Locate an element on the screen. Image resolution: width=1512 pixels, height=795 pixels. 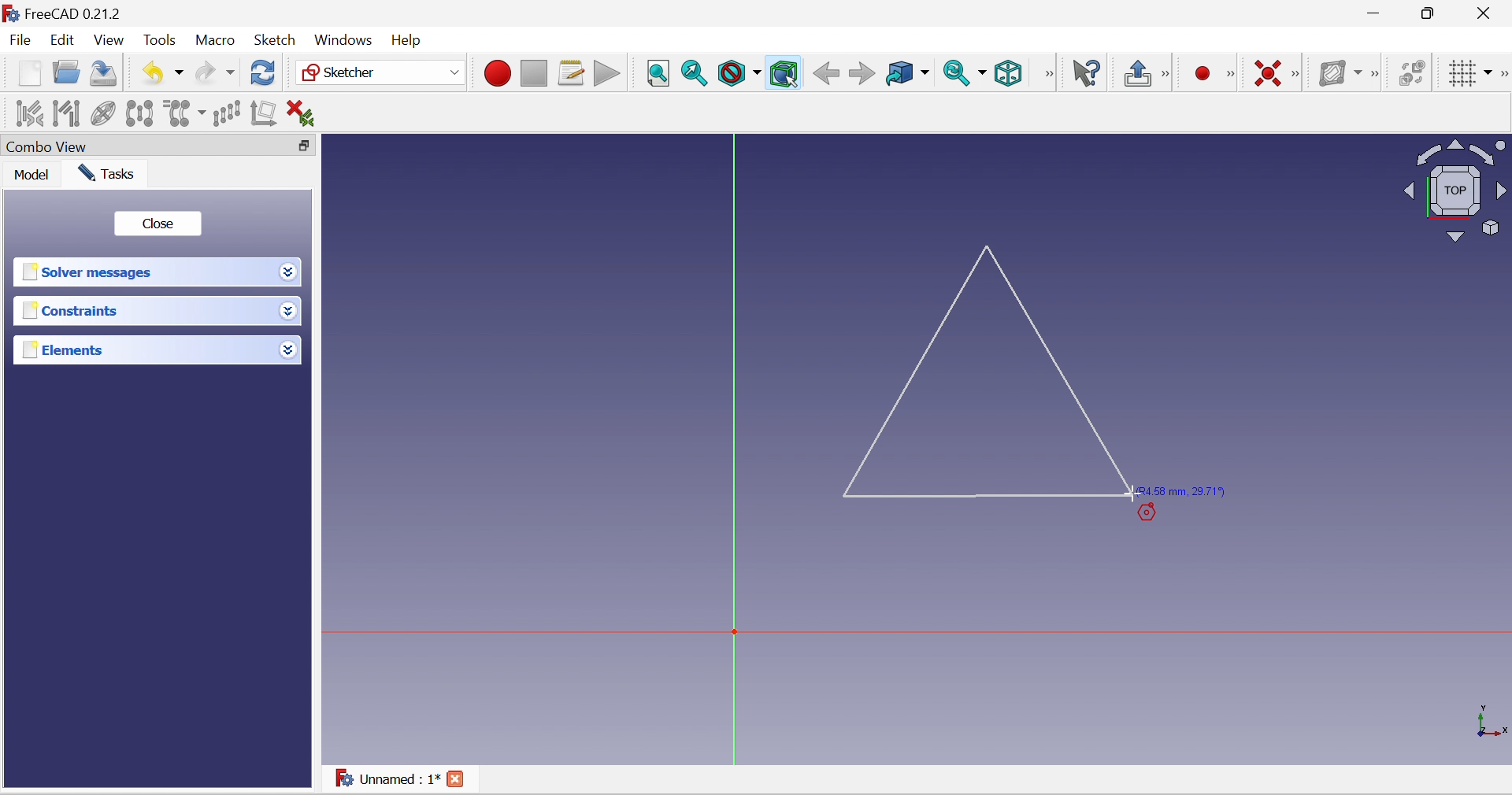
New is located at coordinates (29, 73).